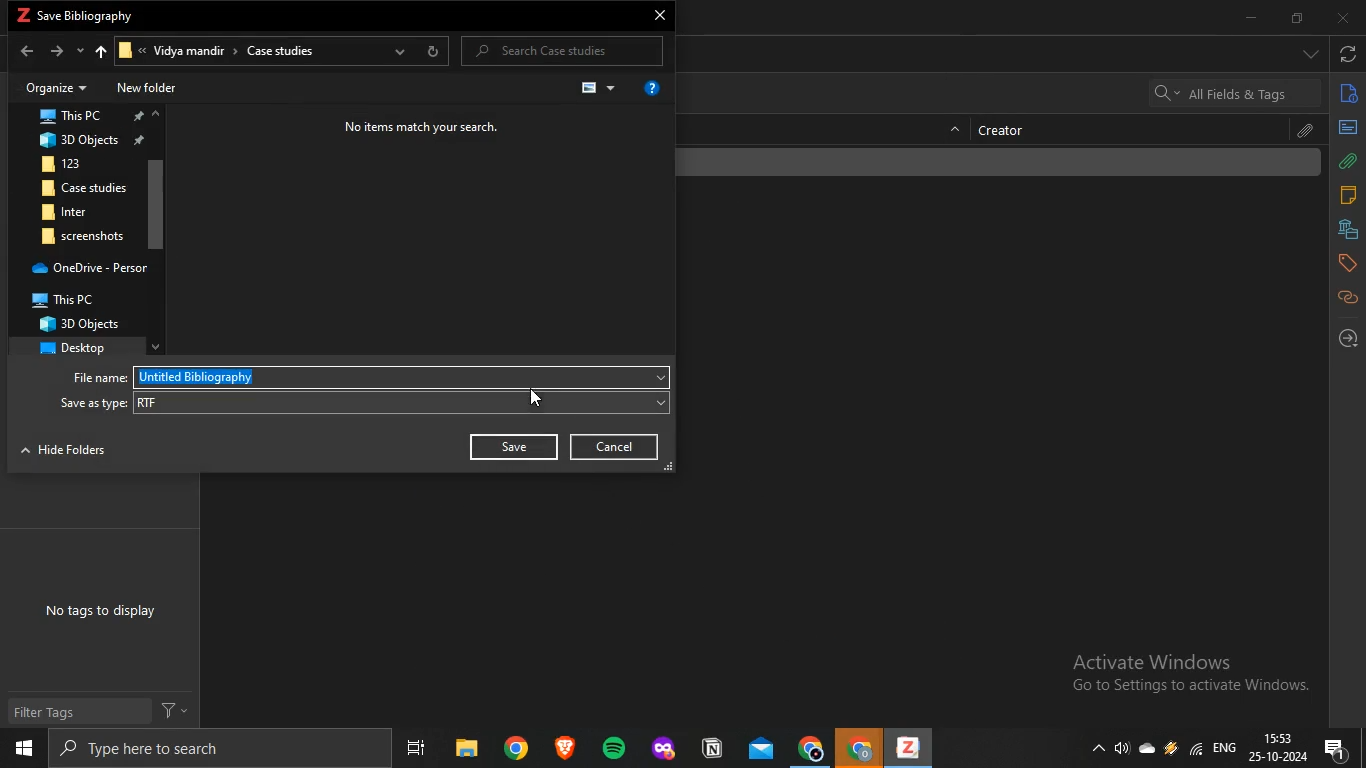  Describe the element at coordinates (812, 747) in the screenshot. I see `chrome` at that location.